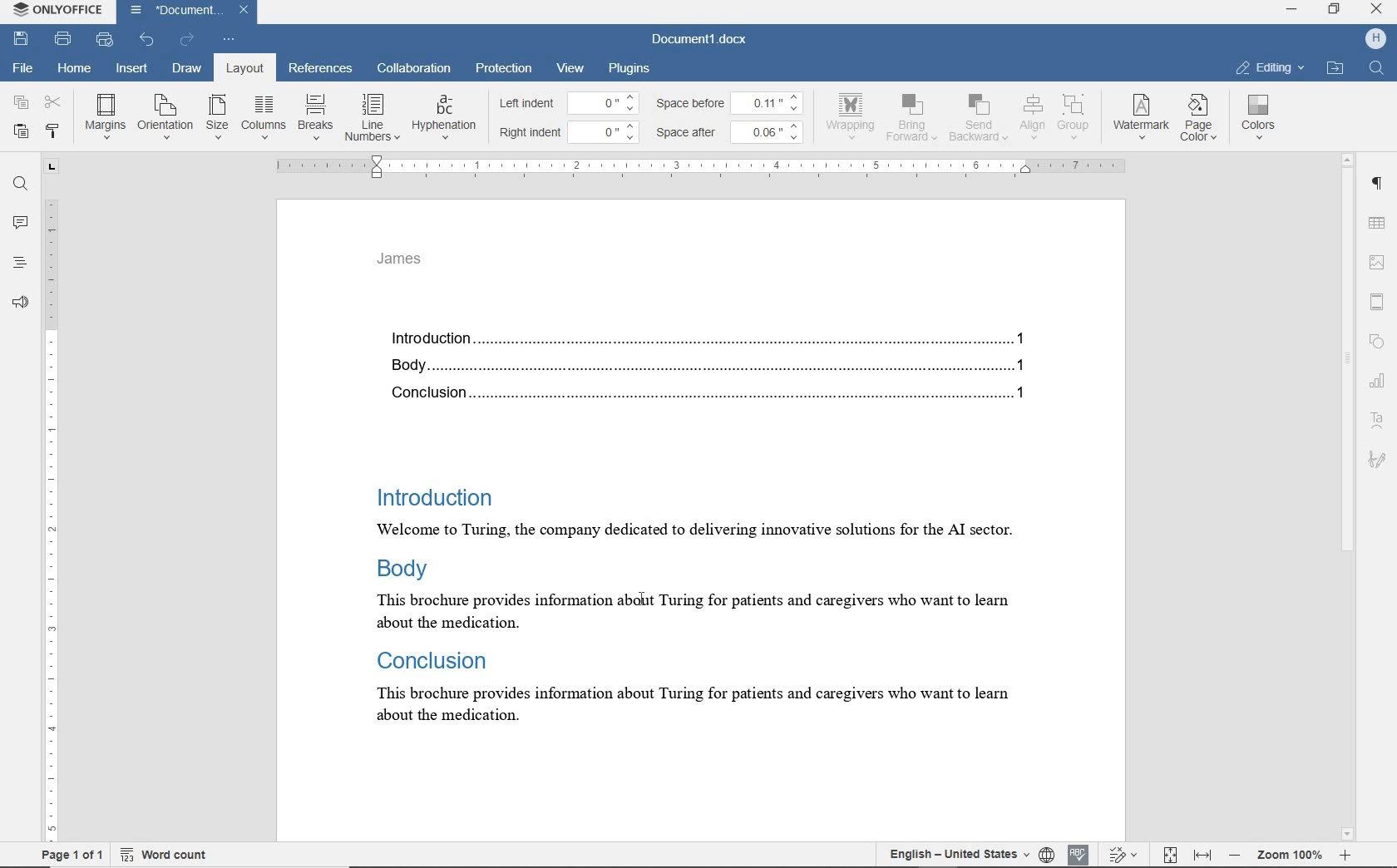 The width and height of the screenshot is (1397, 868). I want to click on copy style, so click(53, 132).